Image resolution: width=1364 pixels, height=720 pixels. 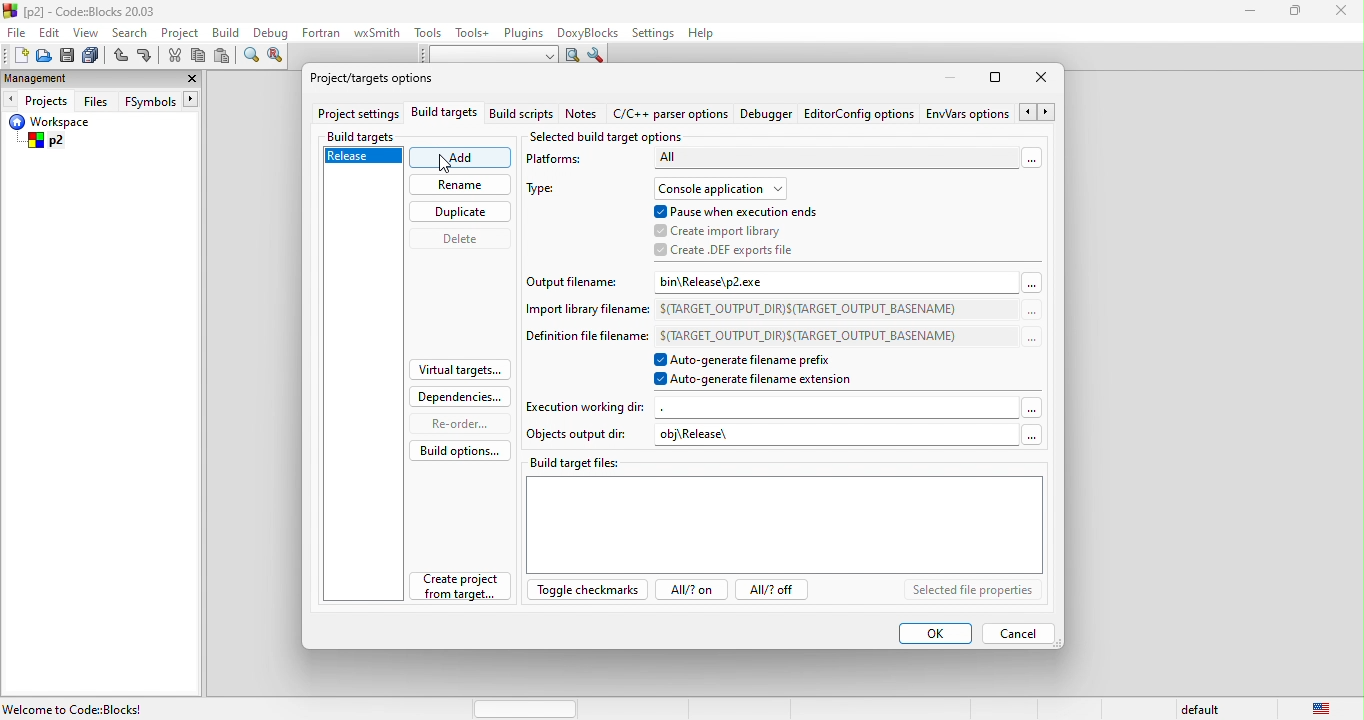 What do you see at coordinates (463, 585) in the screenshot?
I see `create project from target` at bounding box center [463, 585].